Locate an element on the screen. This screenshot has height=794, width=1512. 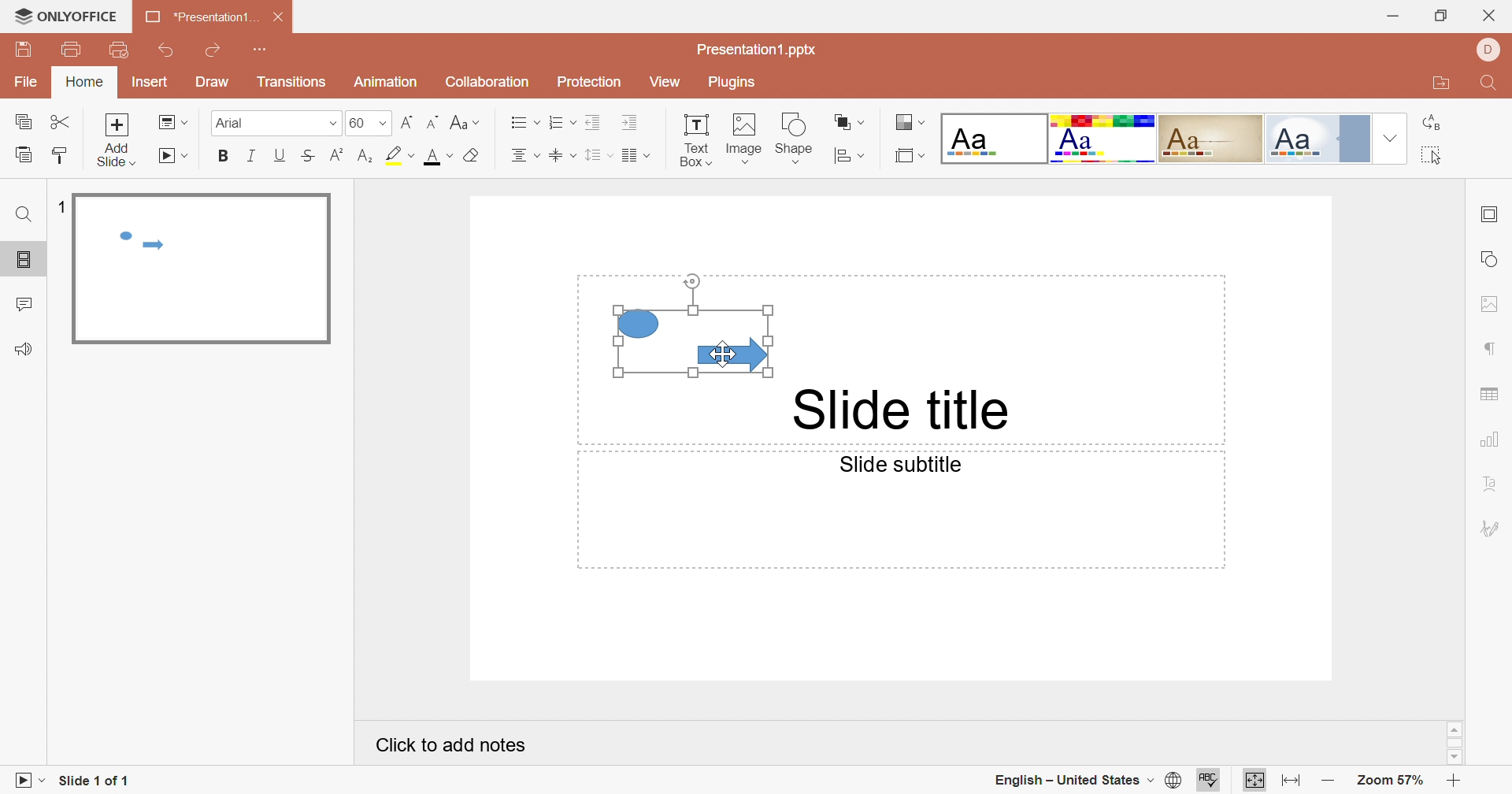
Plugins is located at coordinates (734, 84).